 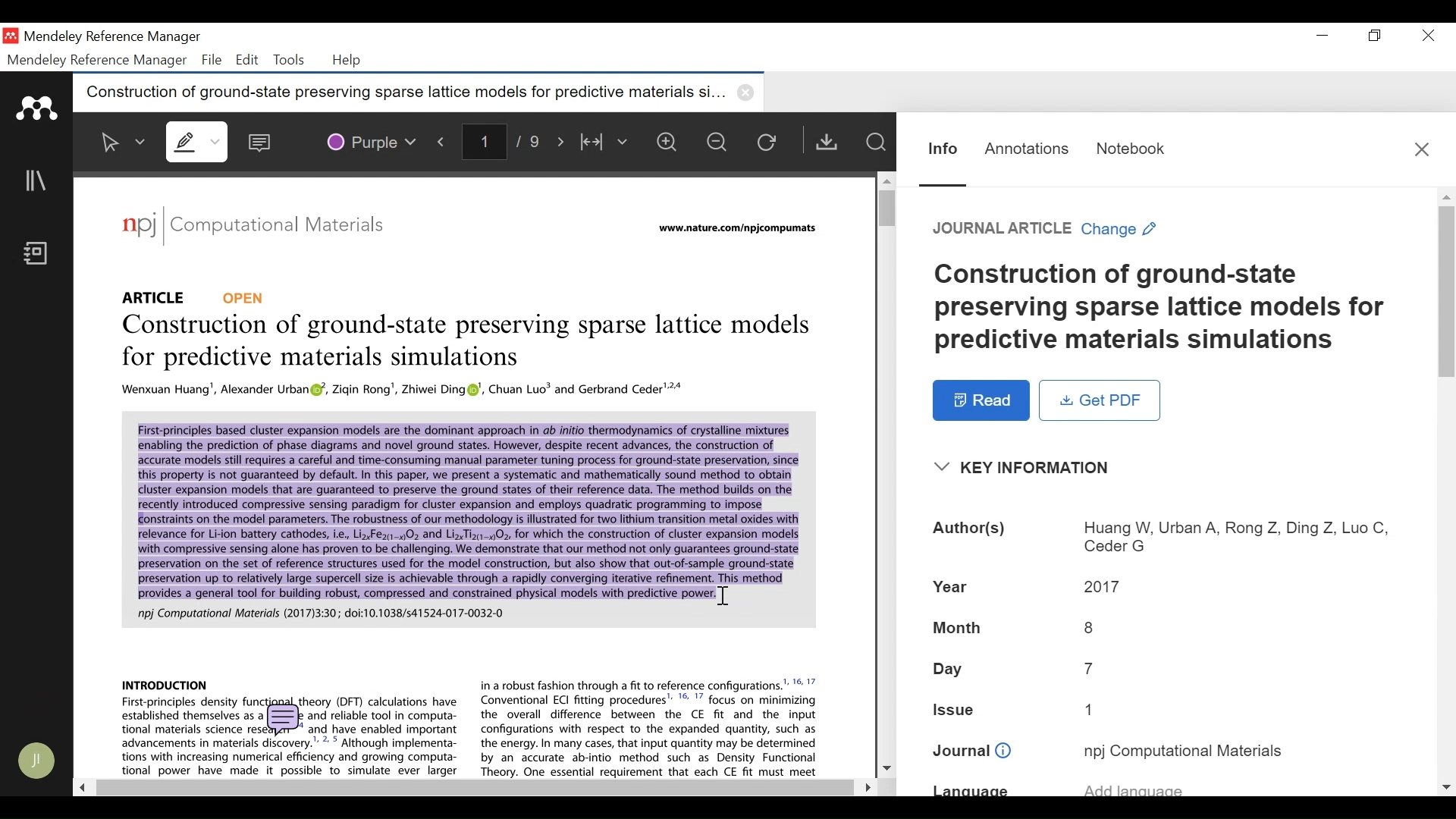 What do you see at coordinates (563, 140) in the screenshot?
I see `Next Page` at bounding box center [563, 140].